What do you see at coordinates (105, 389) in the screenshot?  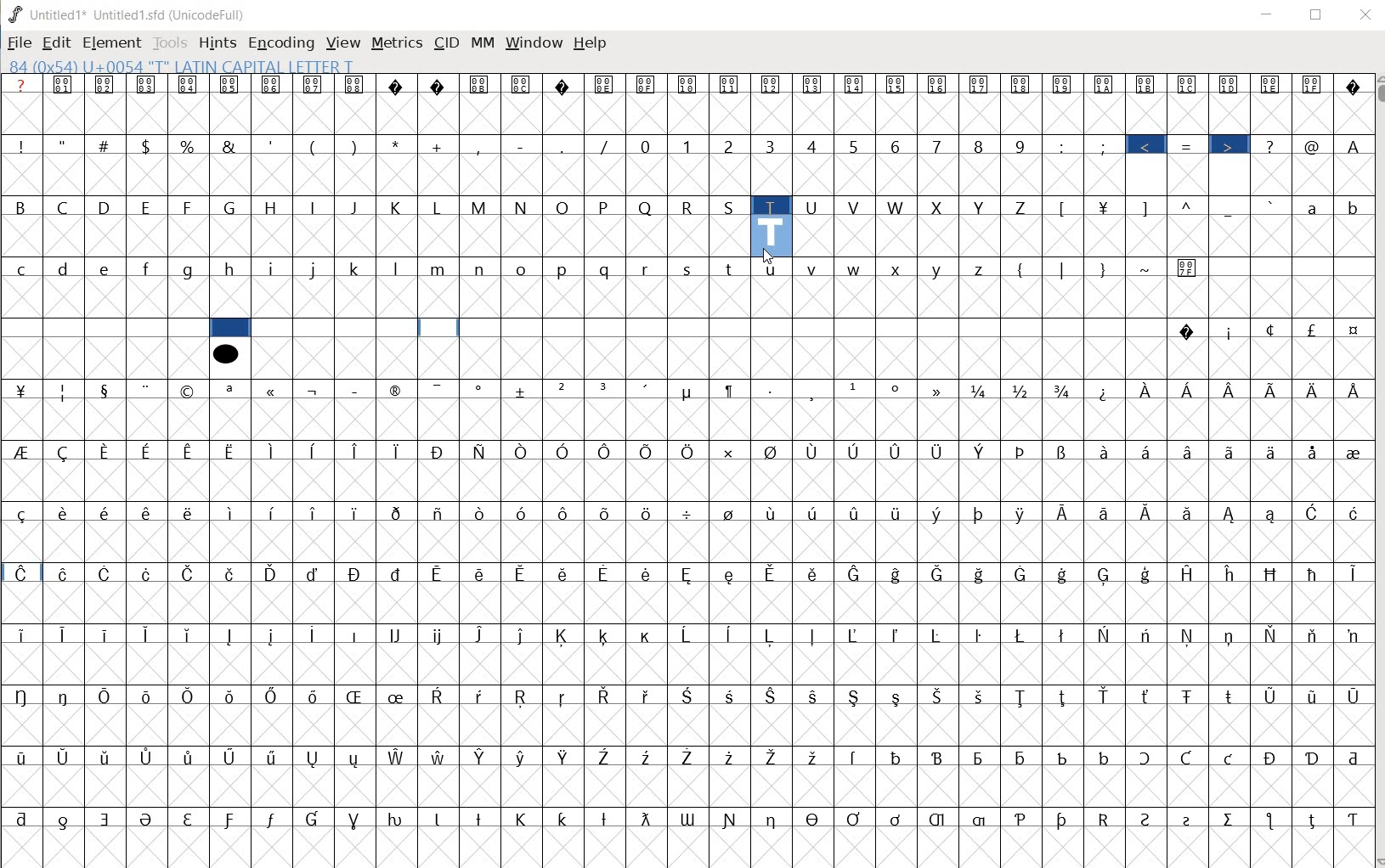 I see `Symbol` at bounding box center [105, 389].